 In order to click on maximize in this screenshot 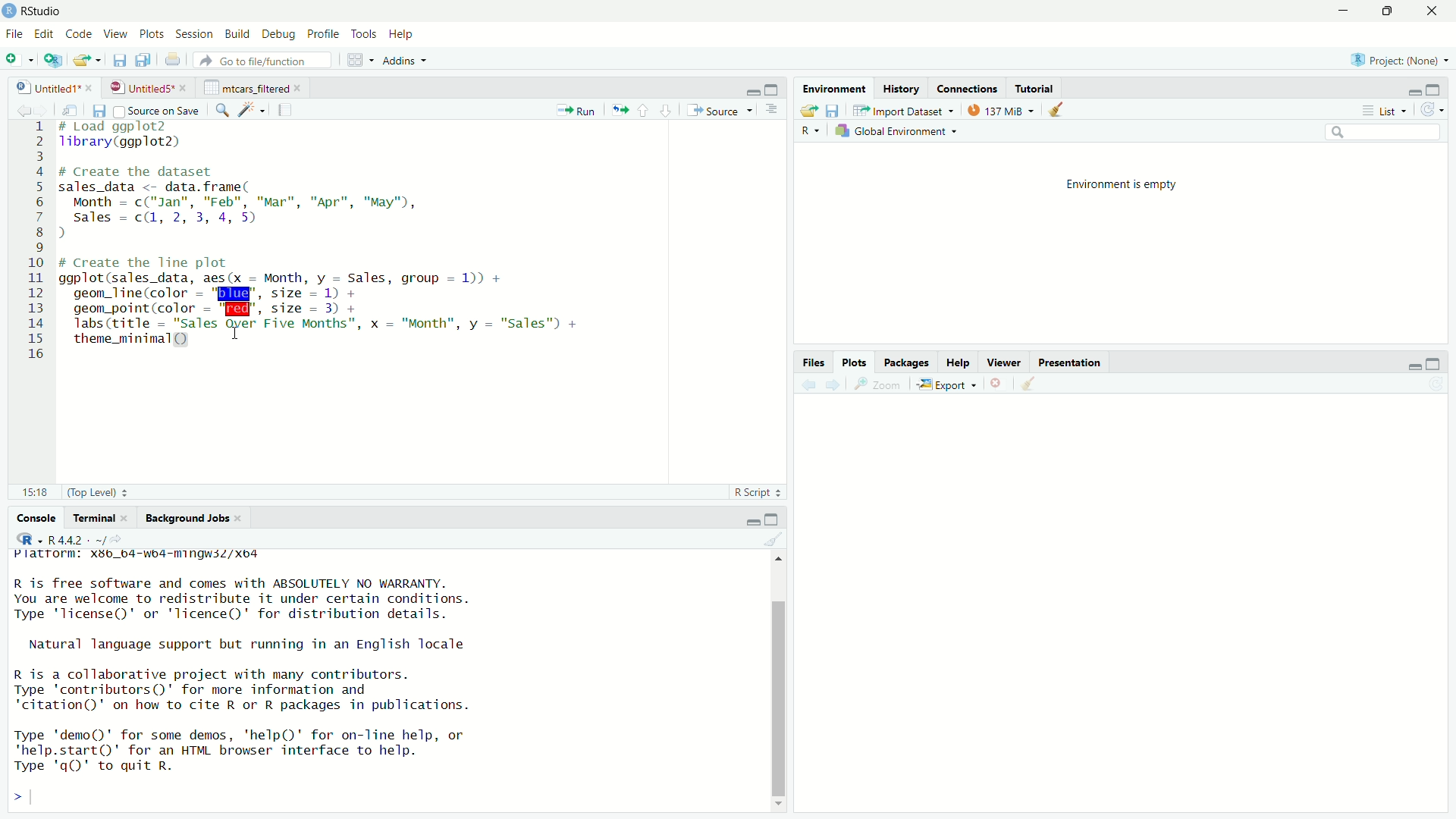, I will do `click(1437, 89)`.